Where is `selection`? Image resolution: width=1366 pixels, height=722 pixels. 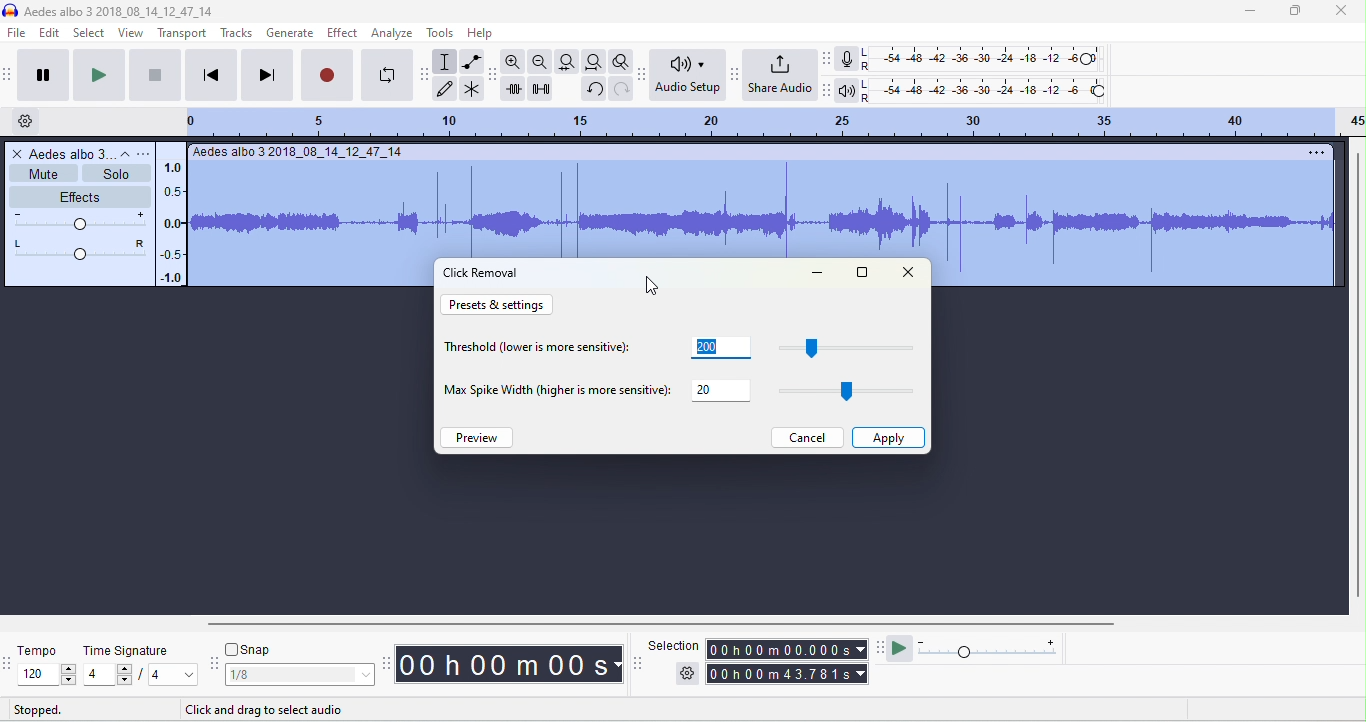 selection is located at coordinates (673, 644).